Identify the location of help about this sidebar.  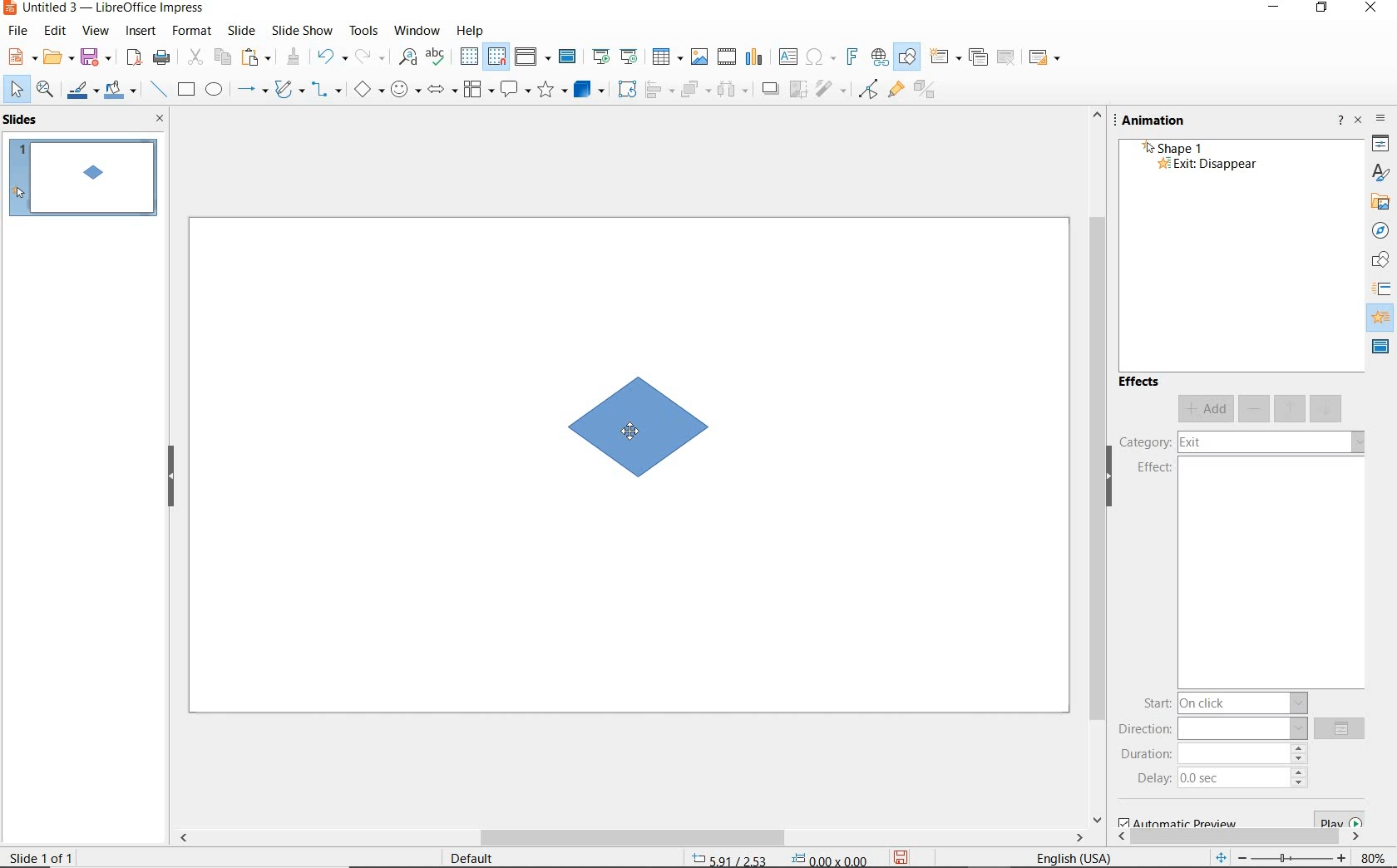
(1341, 122).